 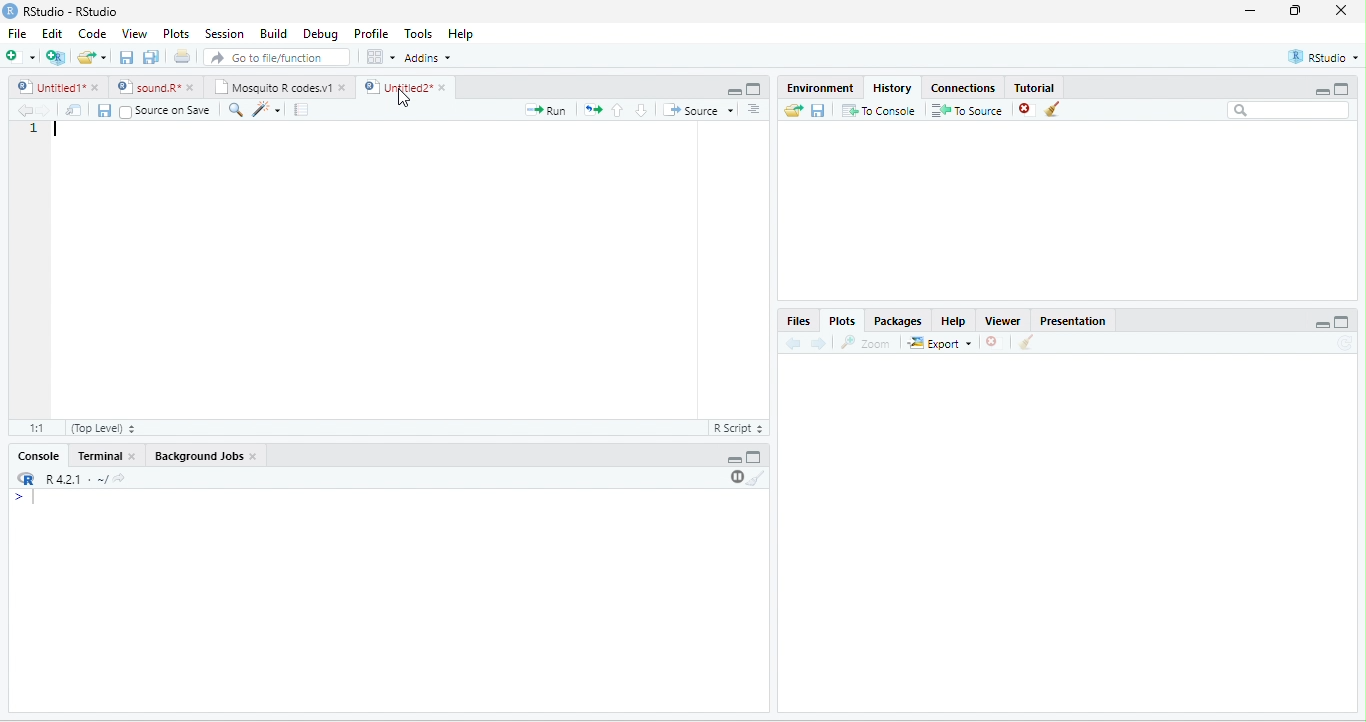 What do you see at coordinates (97, 87) in the screenshot?
I see `close` at bounding box center [97, 87].